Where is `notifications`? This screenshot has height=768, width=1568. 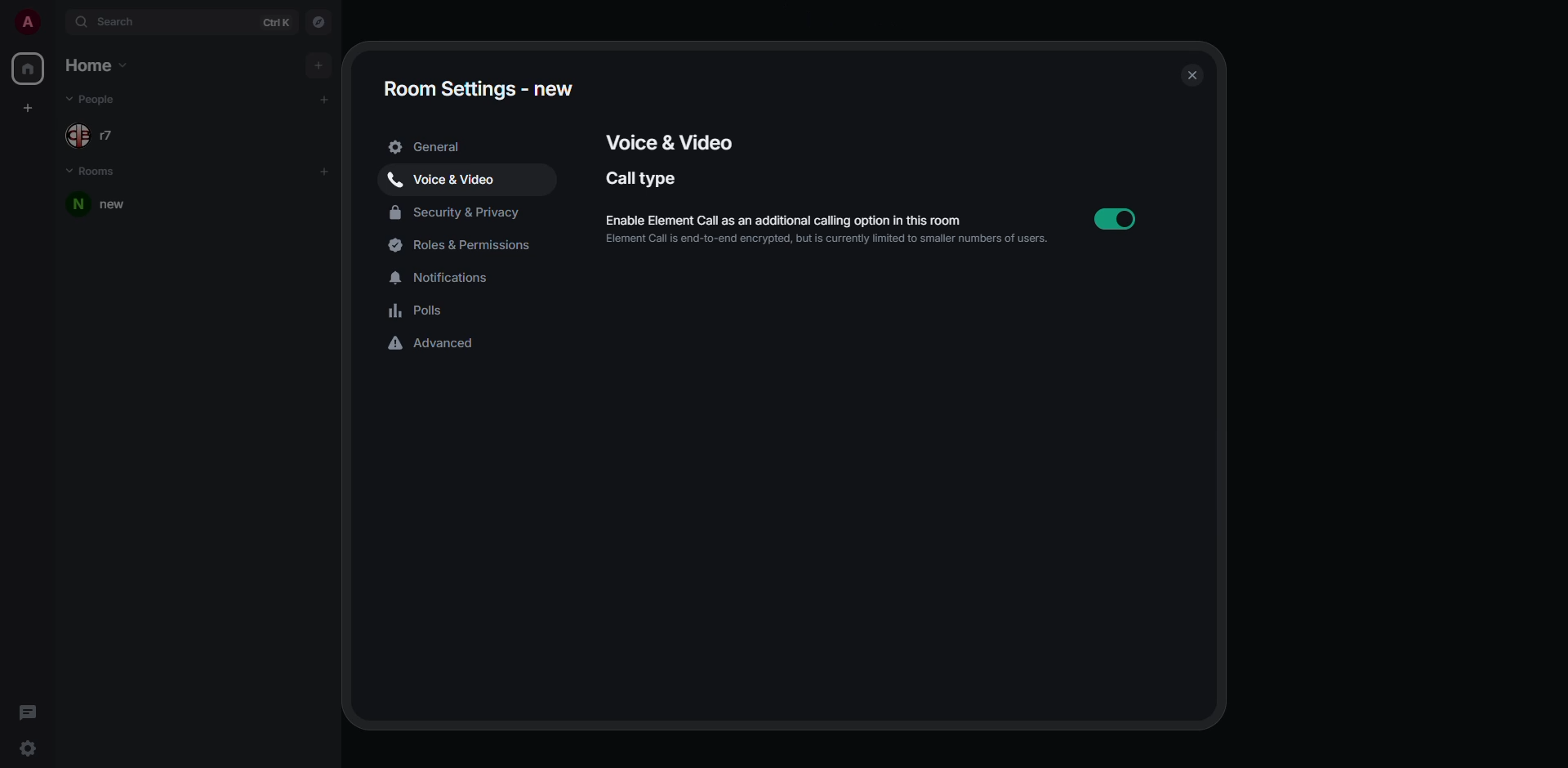 notifications is located at coordinates (443, 275).